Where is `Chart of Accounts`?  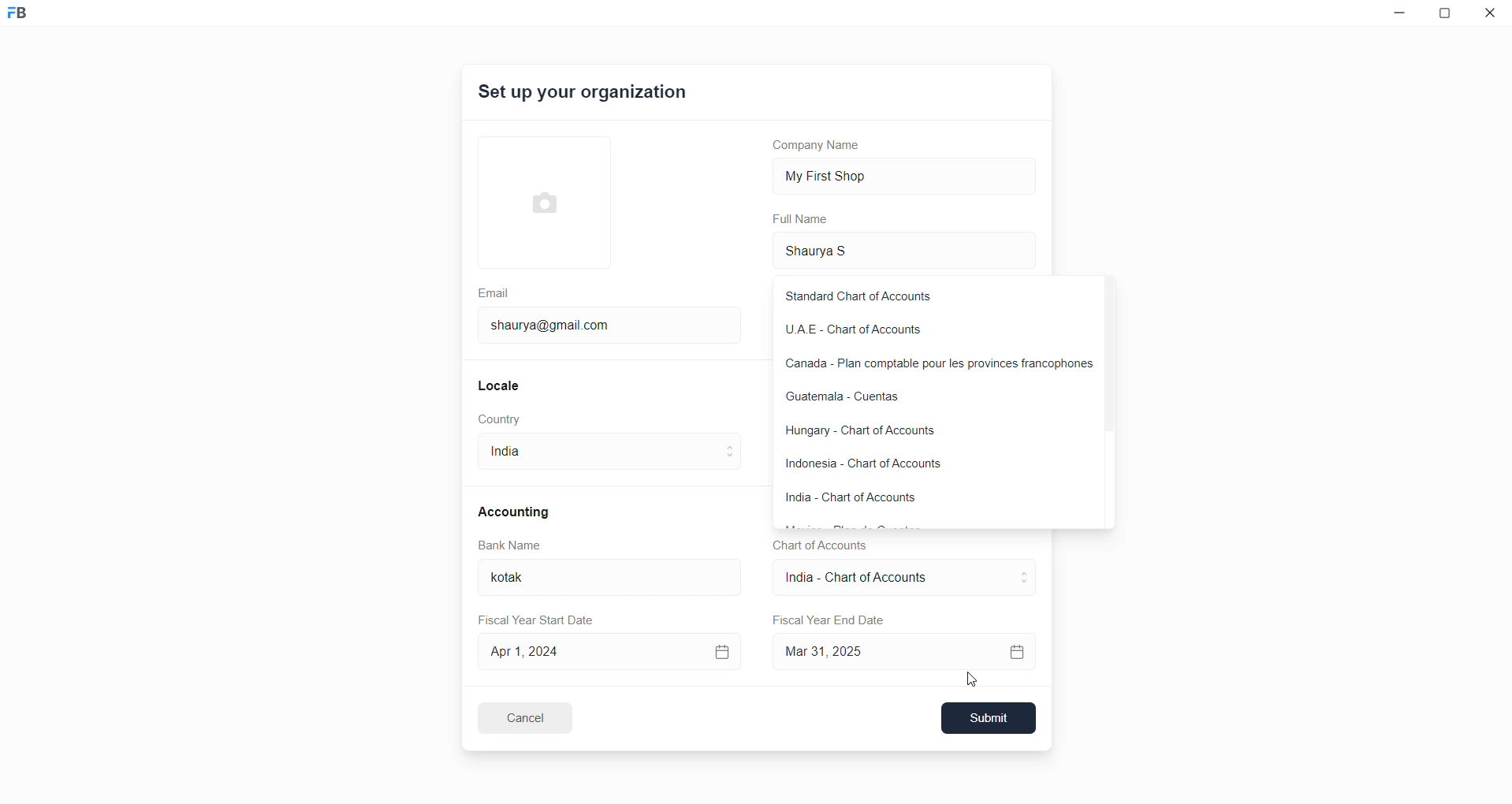
Chart of Accounts is located at coordinates (815, 545).